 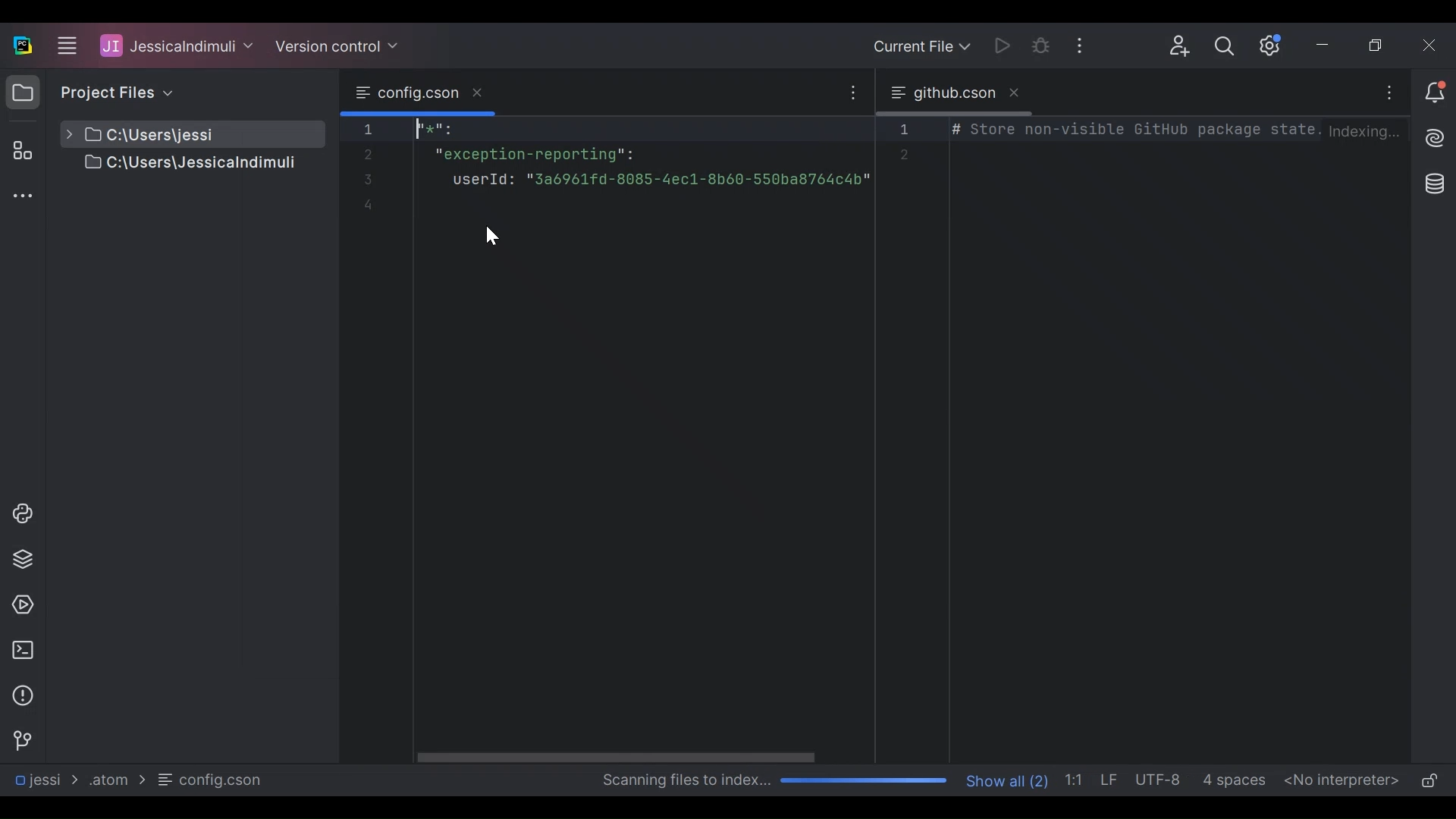 What do you see at coordinates (998, 45) in the screenshot?
I see `Run` at bounding box center [998, 45].